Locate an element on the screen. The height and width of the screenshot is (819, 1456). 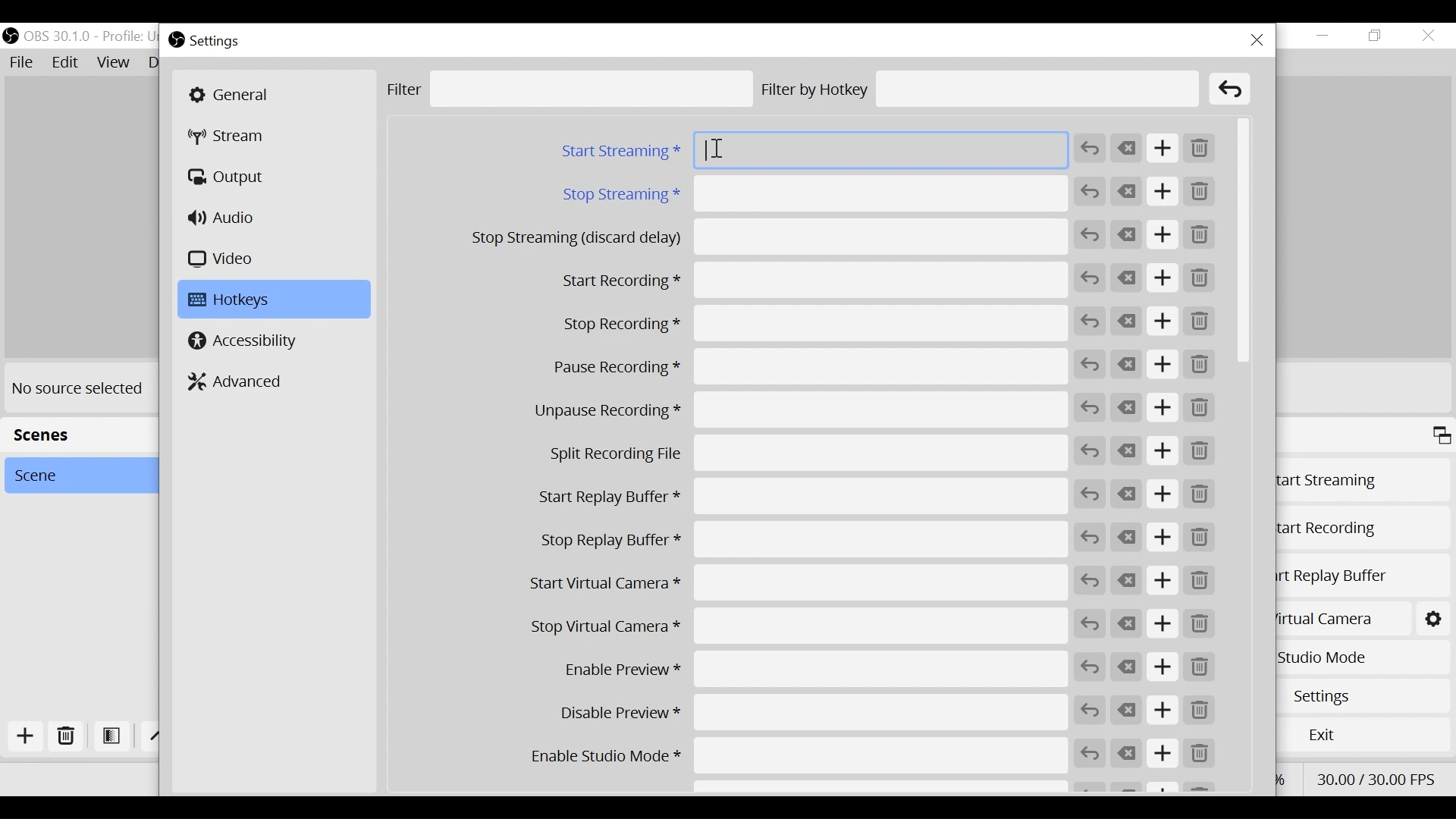
Add is located at coordinates (1164, 669).